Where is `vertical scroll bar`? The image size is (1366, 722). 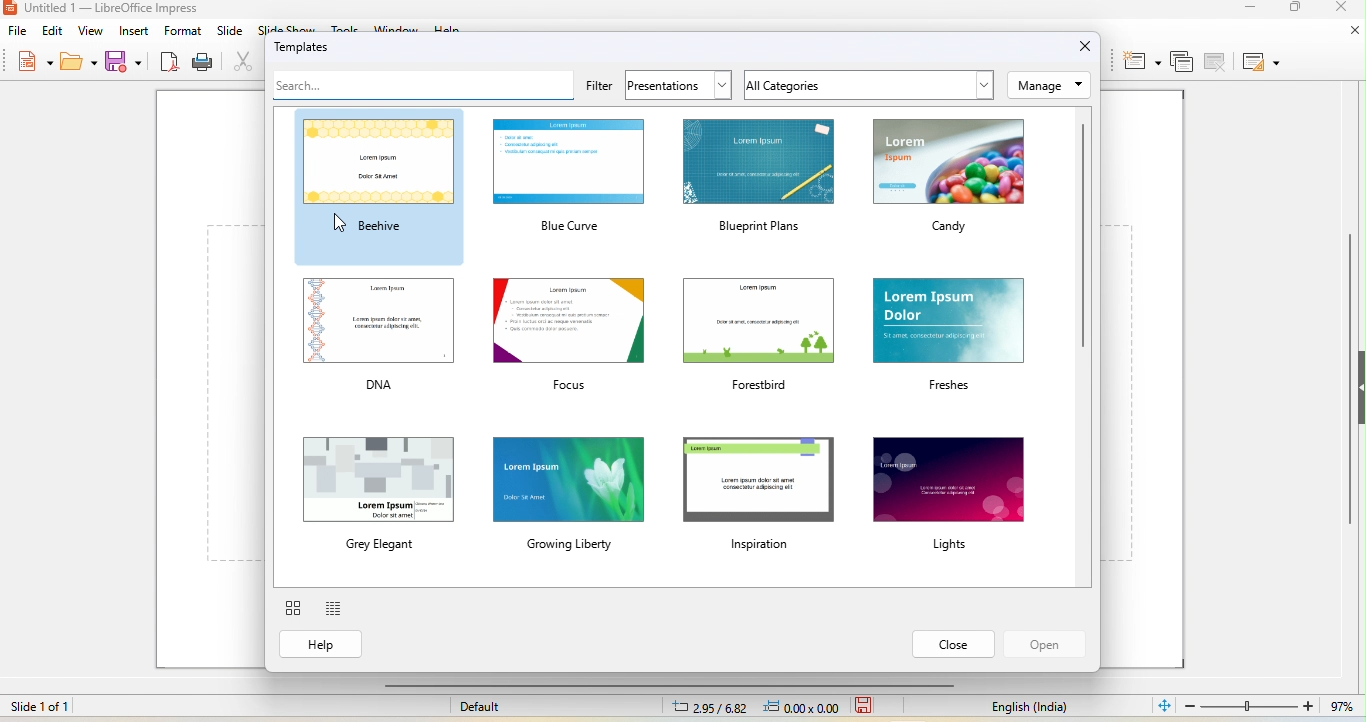
vertical scroll bar is located at coordinates (1349, 382).